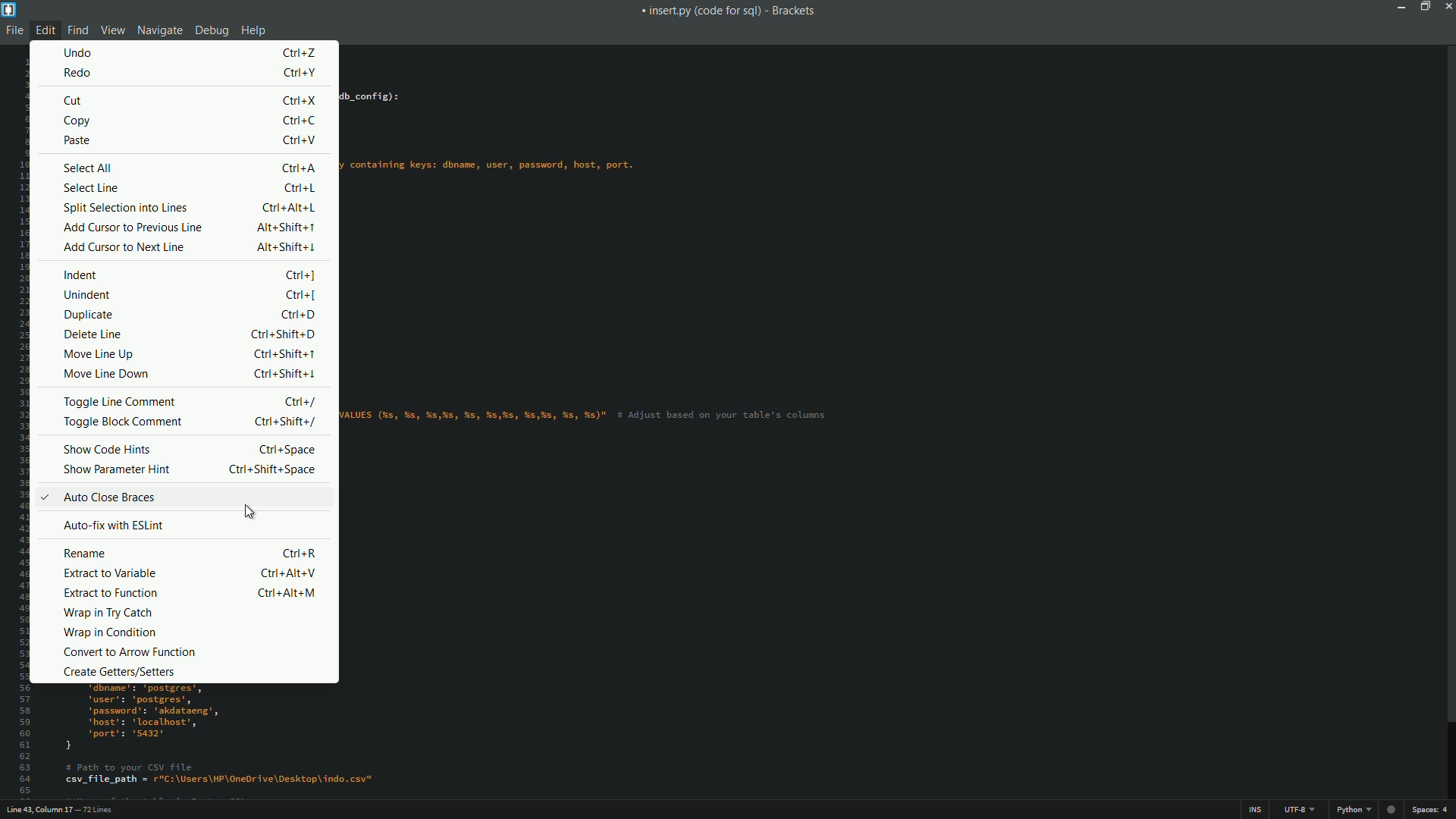 This screenshot has height=819, width=1456. I want to click on copy, so click(80, 122).